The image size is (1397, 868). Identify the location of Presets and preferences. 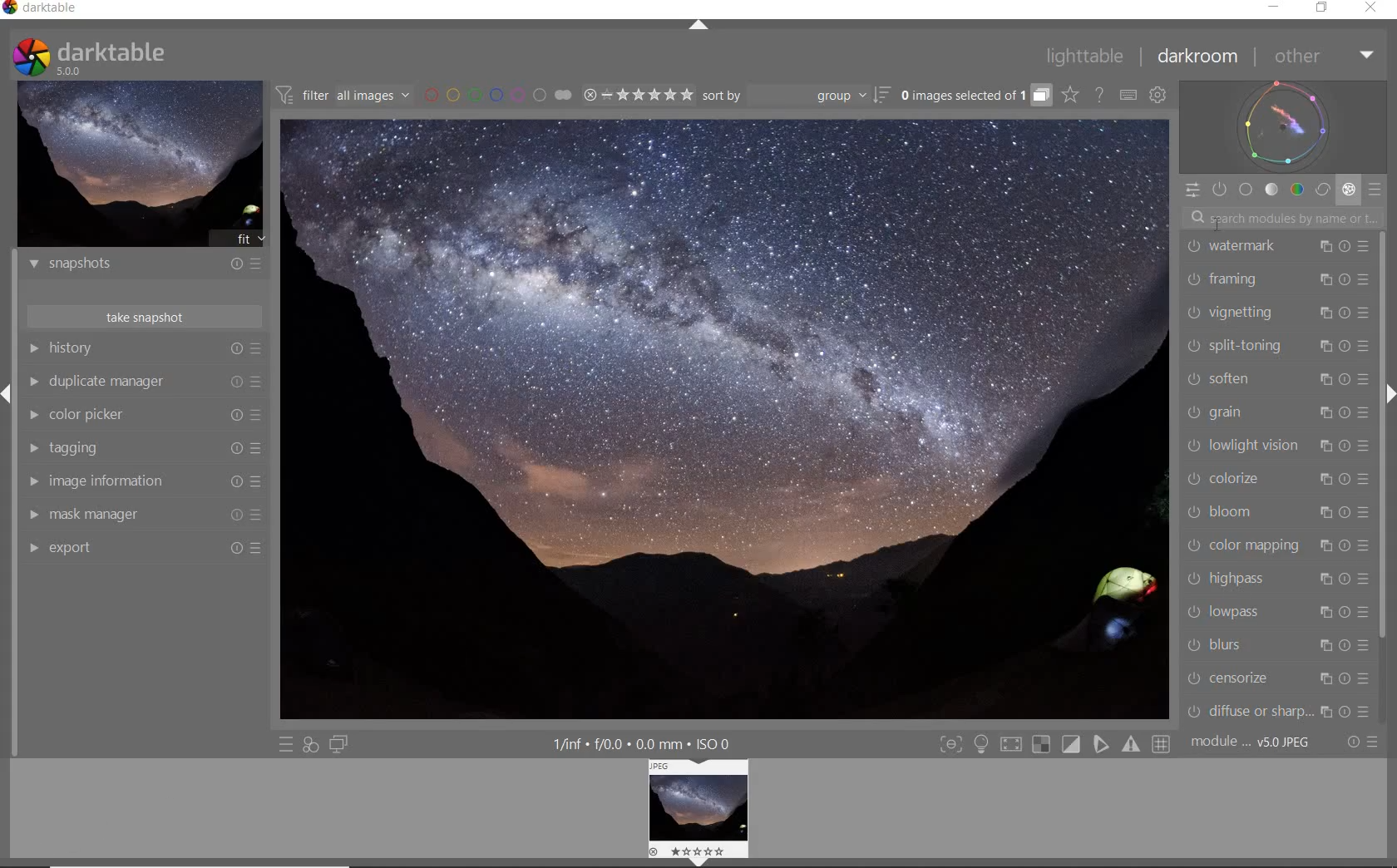
(259, 447).